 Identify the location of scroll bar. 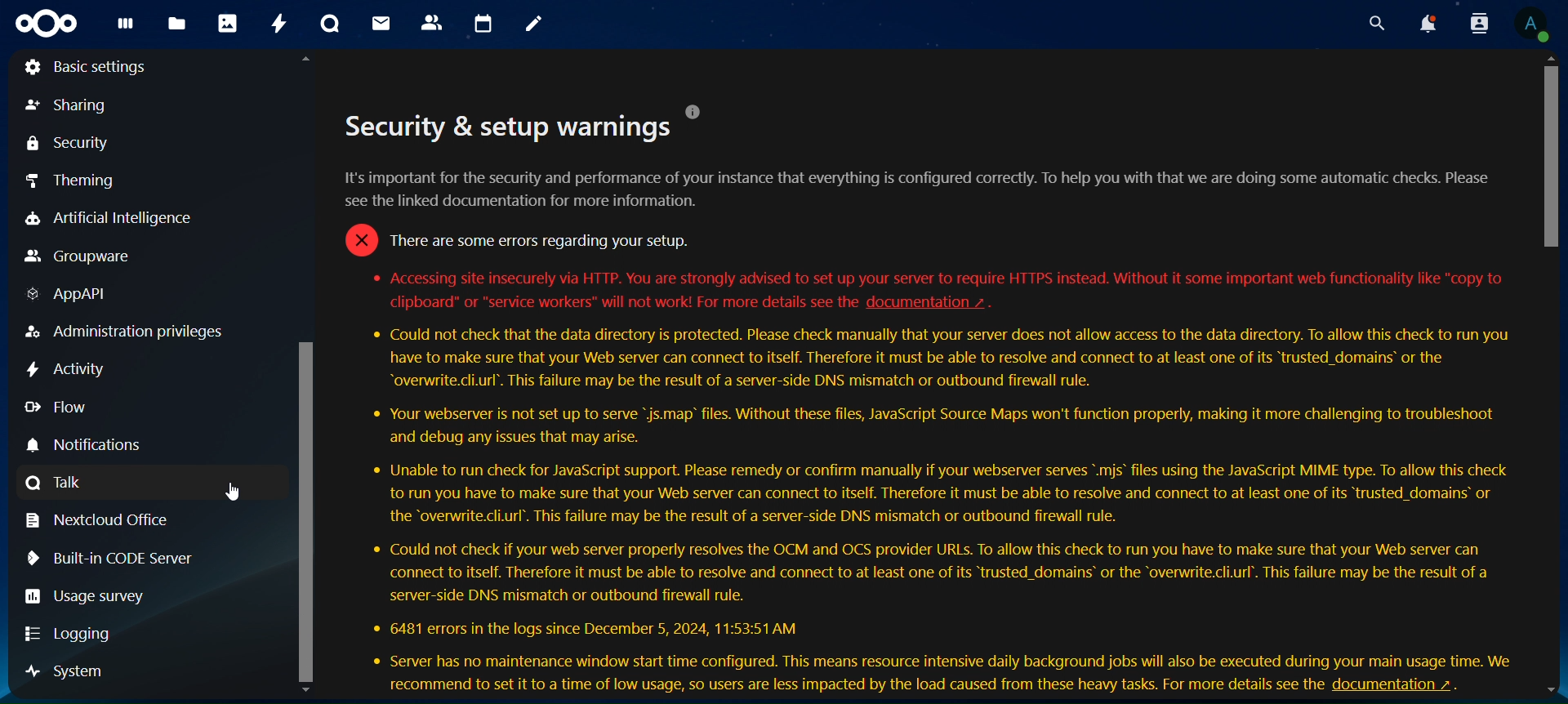
(1551, 380).